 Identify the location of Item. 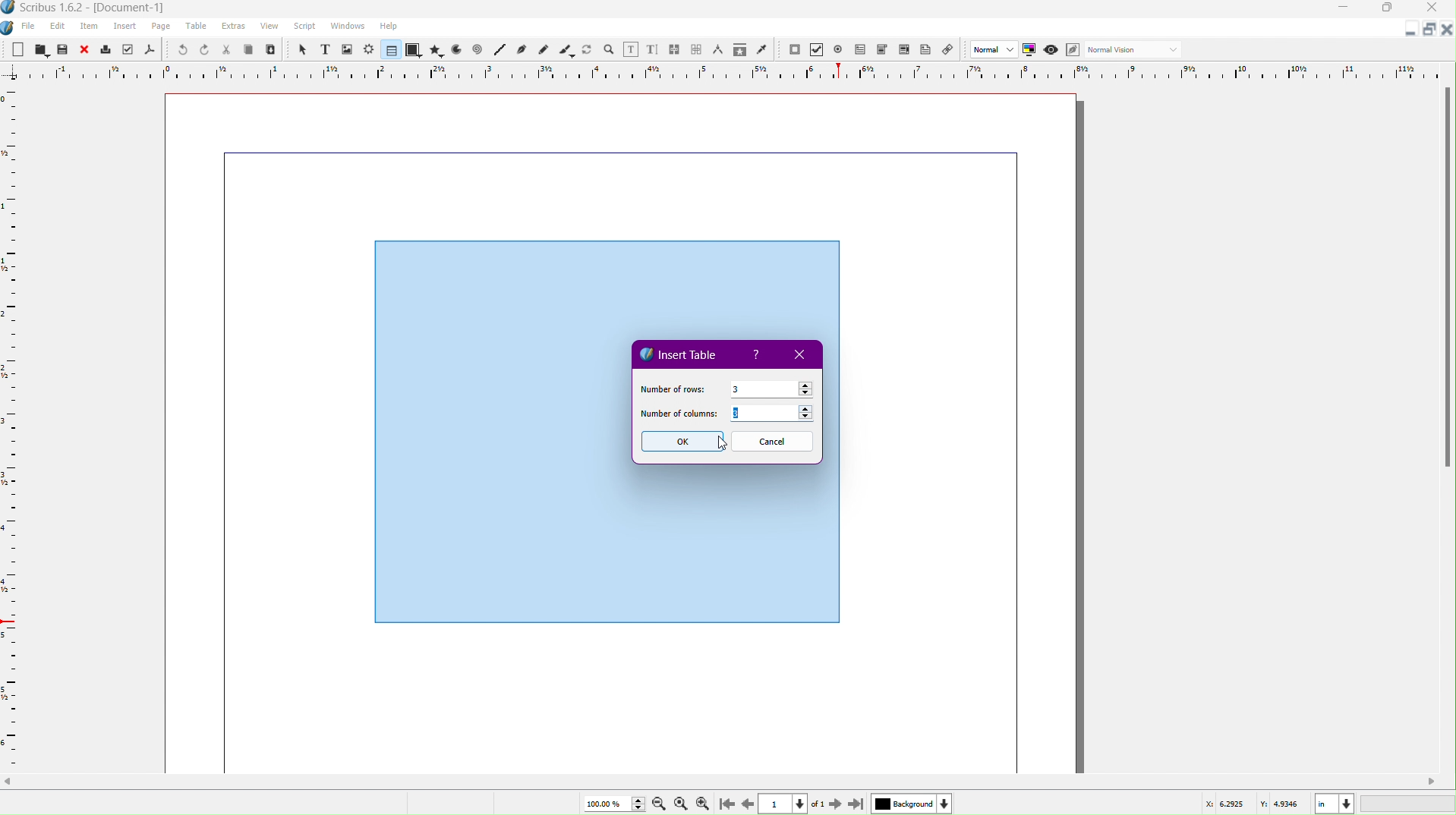
(90, 27).